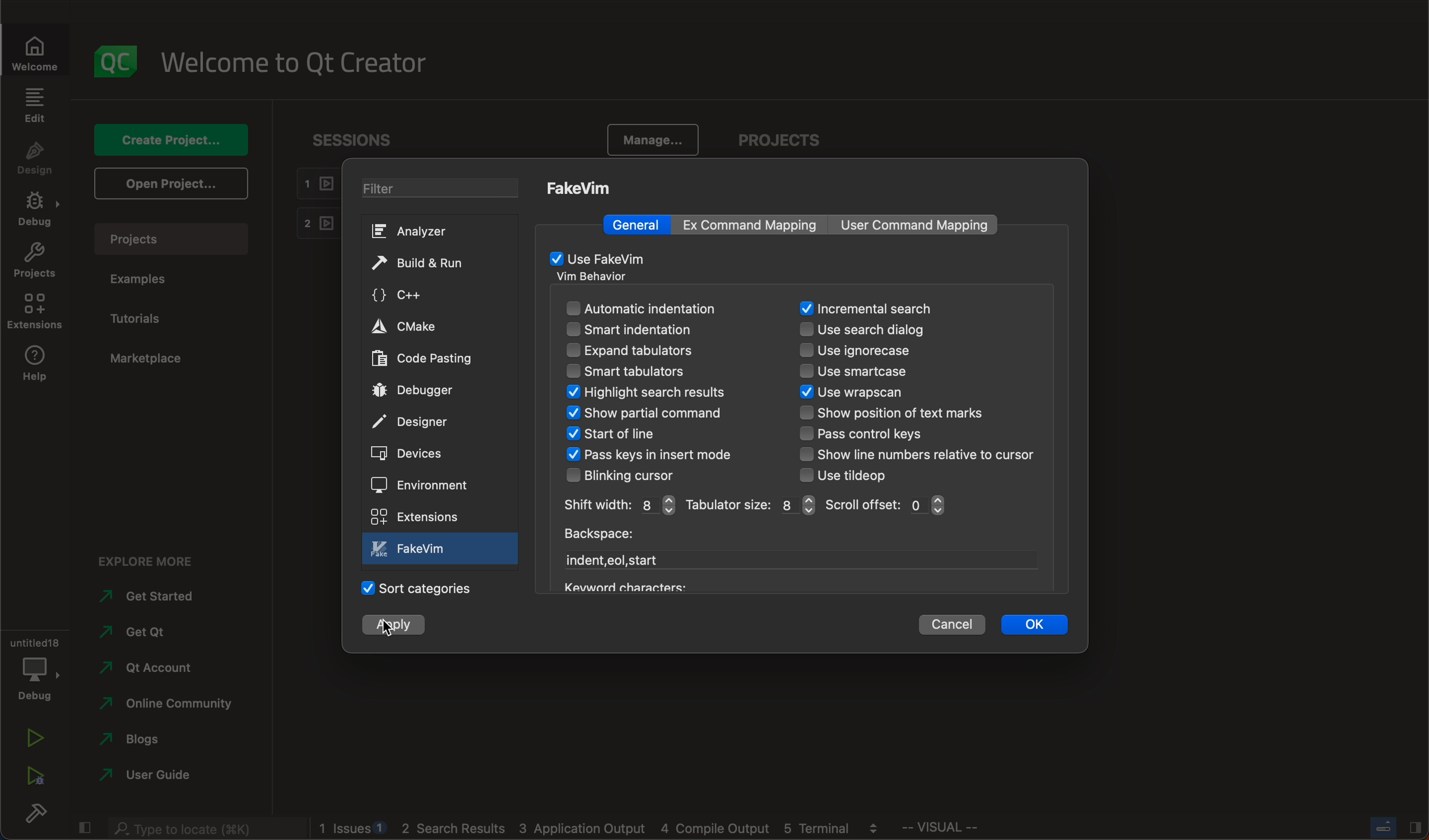 The width and height of the screenshot is (1429, 840). Describe the element at coordinates (168, 705) in the screenshot. I see `community` at that location.